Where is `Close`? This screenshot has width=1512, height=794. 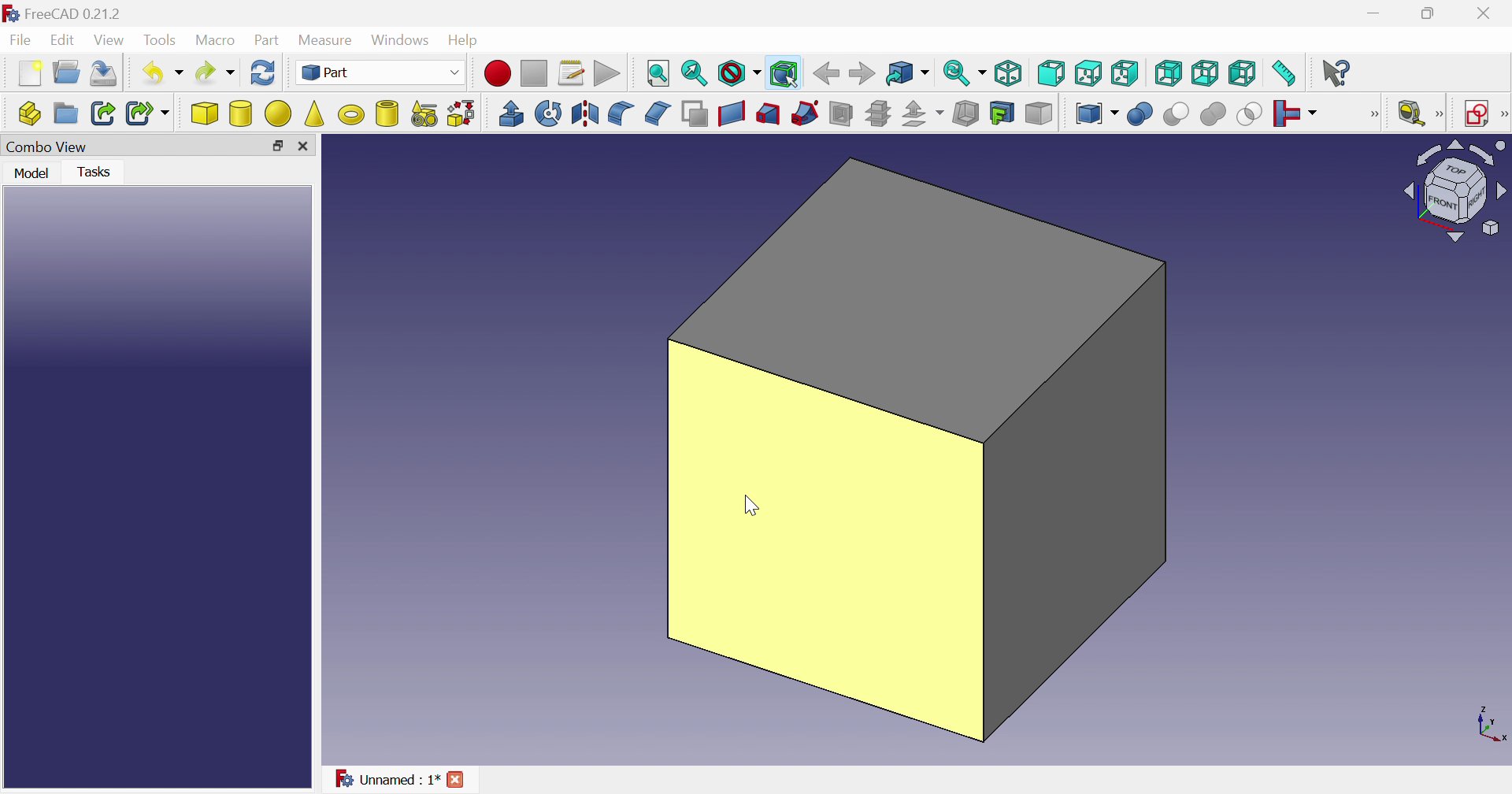
Close is located at coordinates (1483, 17).